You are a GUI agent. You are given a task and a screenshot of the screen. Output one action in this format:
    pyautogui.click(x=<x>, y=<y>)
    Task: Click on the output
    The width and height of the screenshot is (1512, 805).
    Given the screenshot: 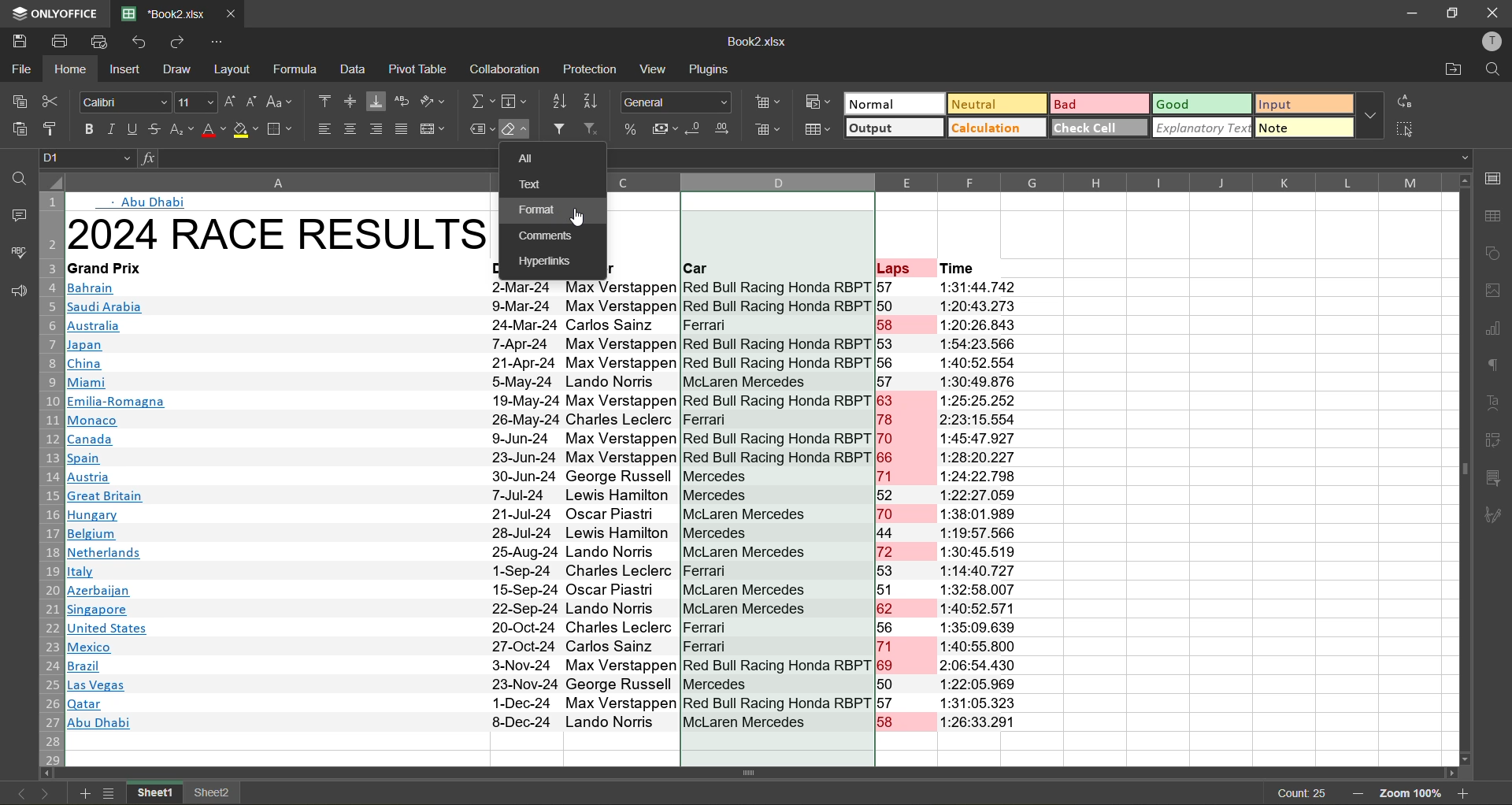 What is the action you would take?
    pyautogui.click(x=893, y=128)
    